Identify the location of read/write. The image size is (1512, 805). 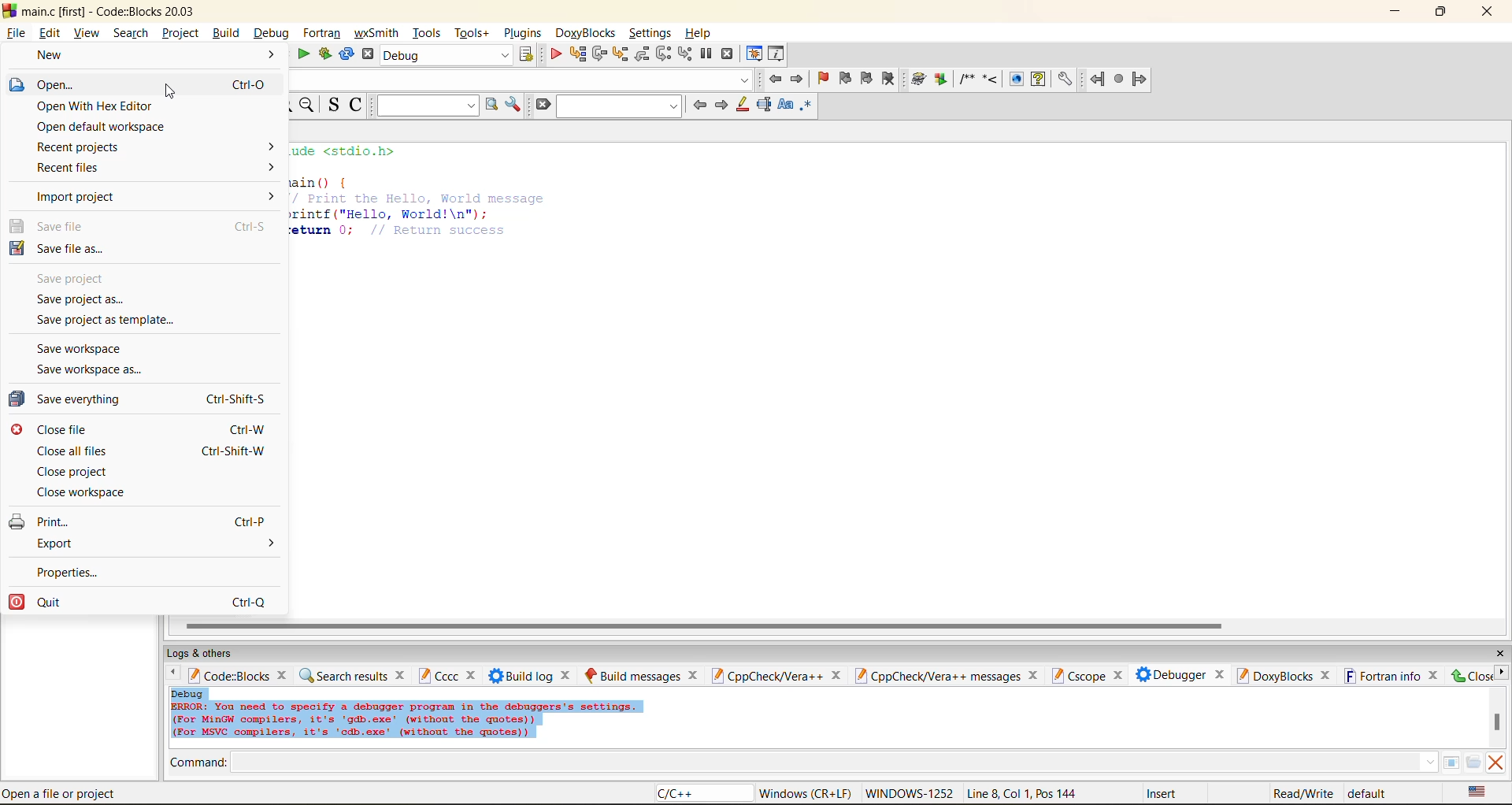
(1303, 793).